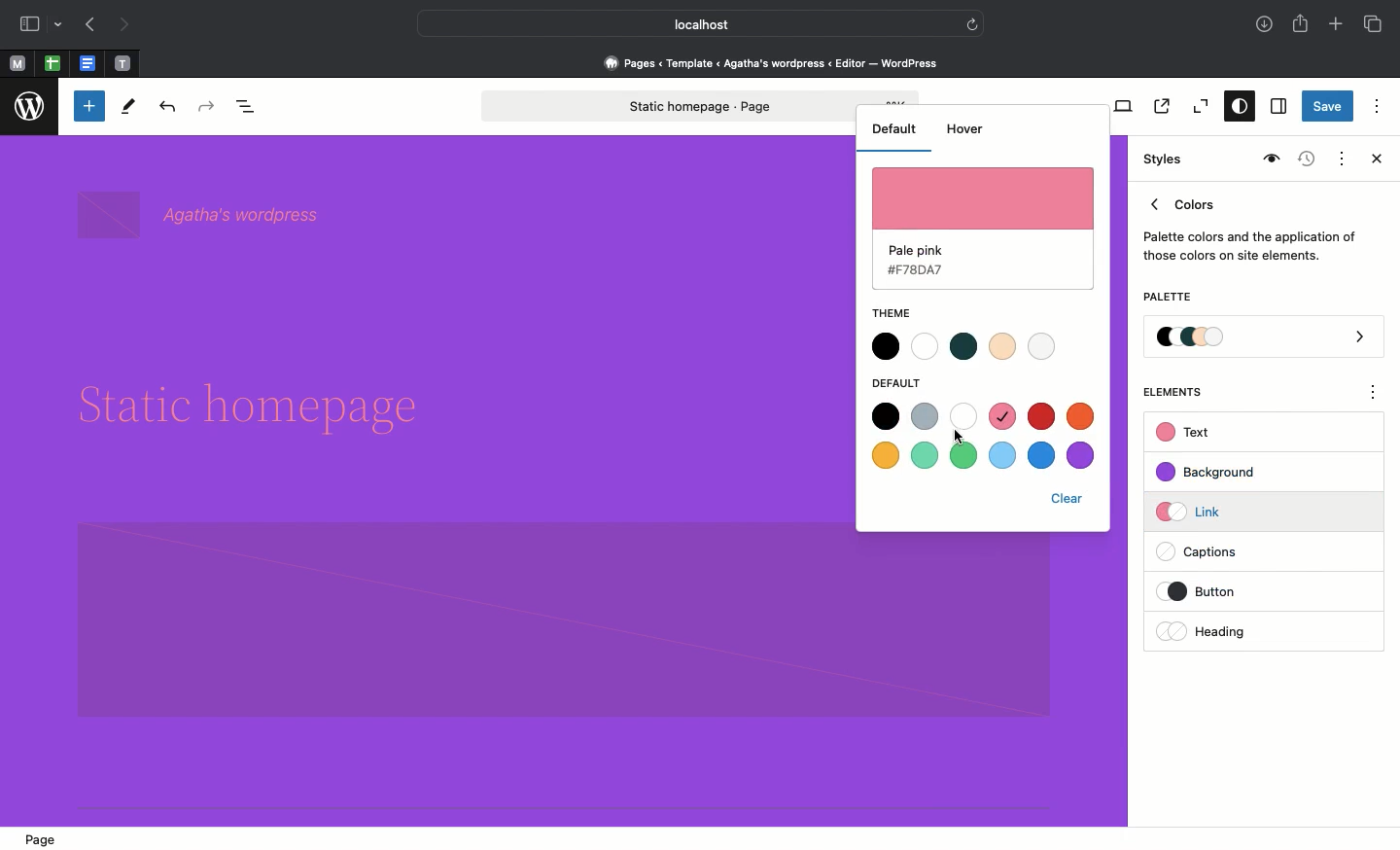 The width and height of the screenshot is (1400, 850). Describe the element at coordinates (1207, 553) in the screenshot. I see `Captions` at that location.